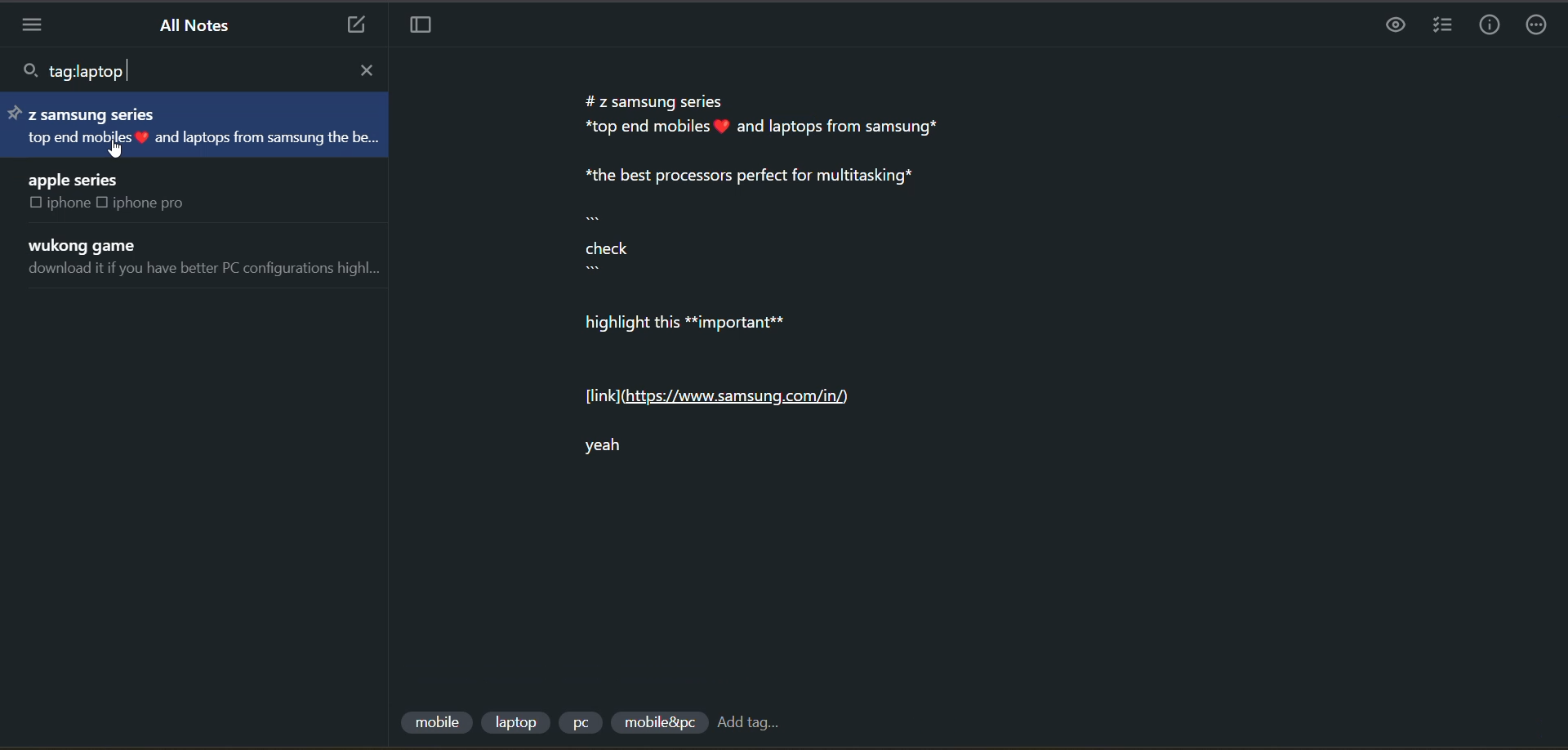 Image resolution: width=1568 pixels, height=750 pixels. I want to click on # z samsung series

*top end mobiles % and laptops from samsung*
*the best processors perfect for multitasking*
check

highlight this **important**, so click(786, 217).